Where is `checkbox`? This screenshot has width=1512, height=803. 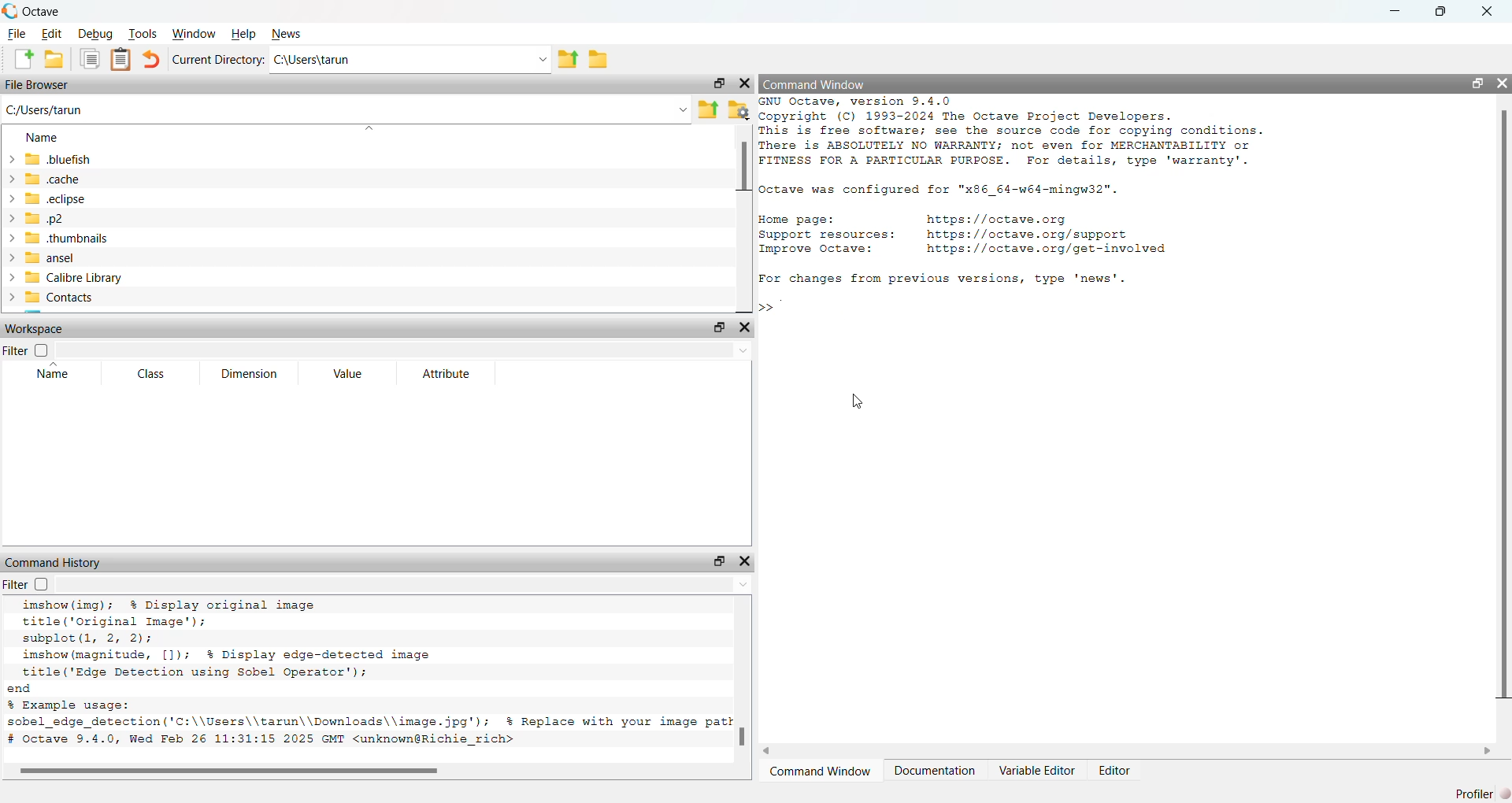 checkbox is located at coordinates (44, 585).